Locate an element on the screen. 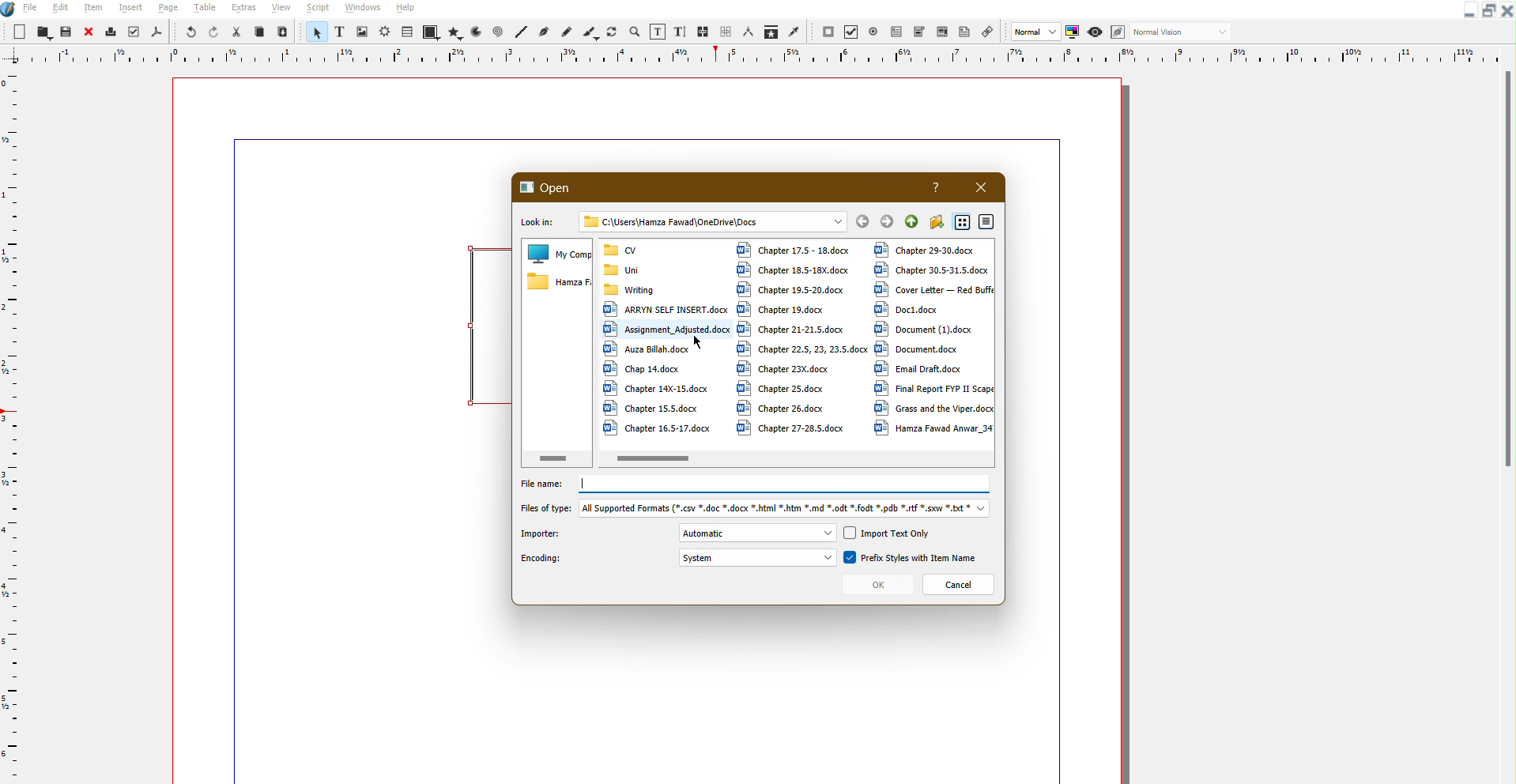  Text Size is located at coordinates (681, 31).